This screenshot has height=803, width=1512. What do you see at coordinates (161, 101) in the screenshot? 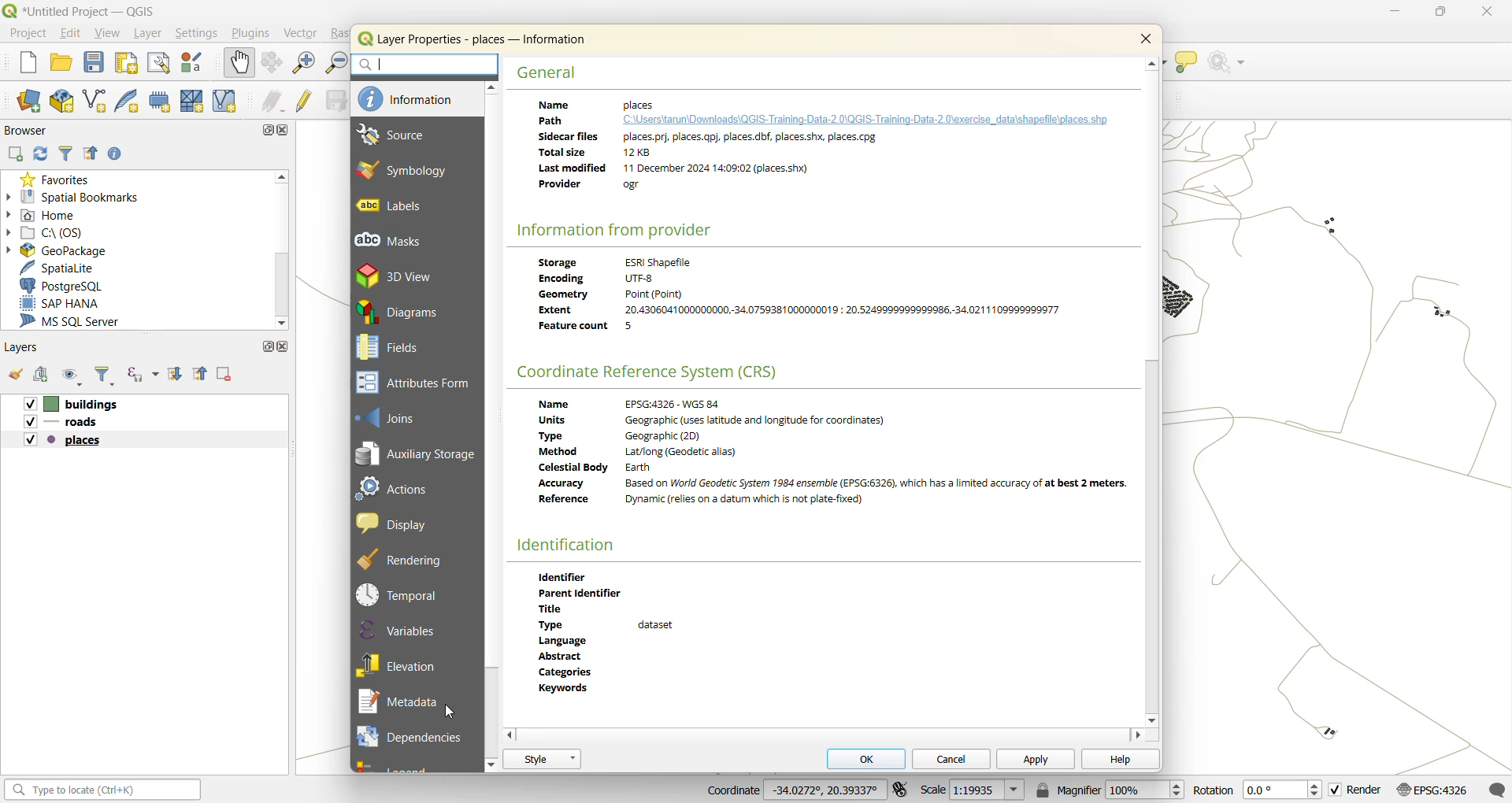
I see `temporary scratch layer` at bounding box center [161, 101].